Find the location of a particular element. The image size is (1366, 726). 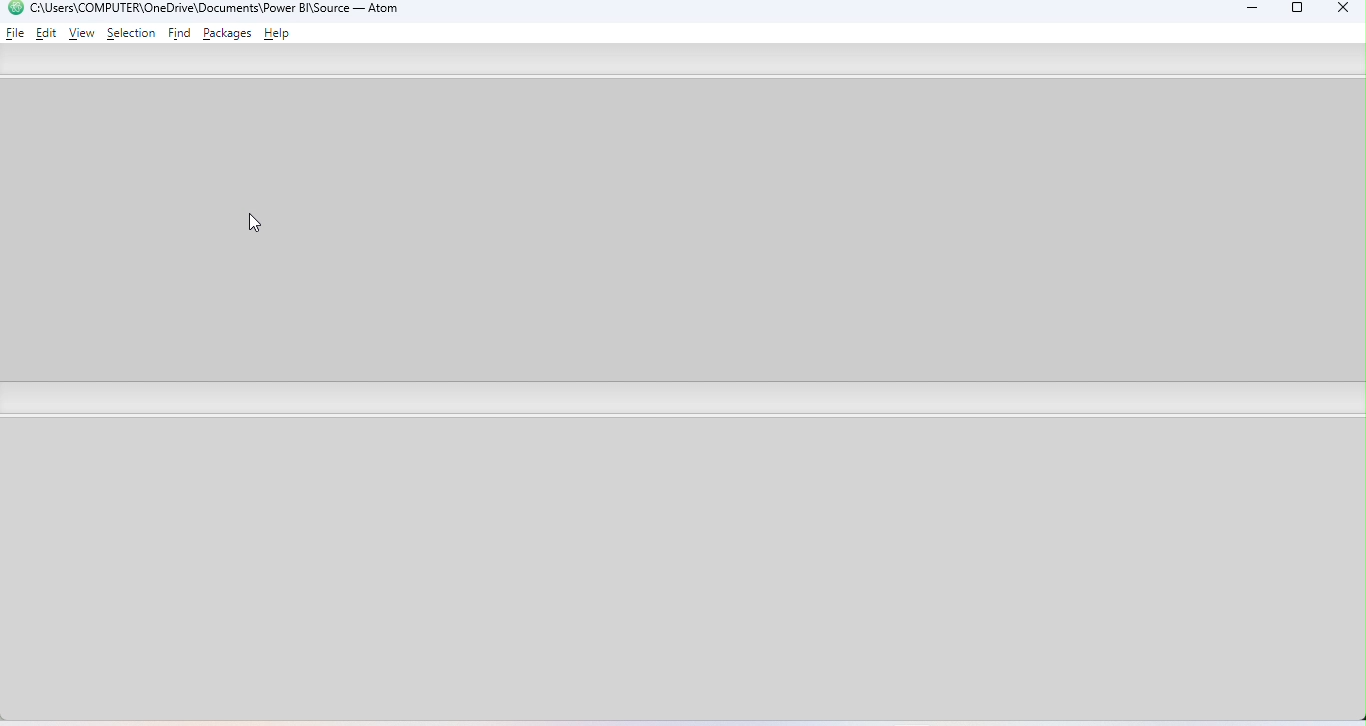

Pane 1 is located at coordinates (681, 232).